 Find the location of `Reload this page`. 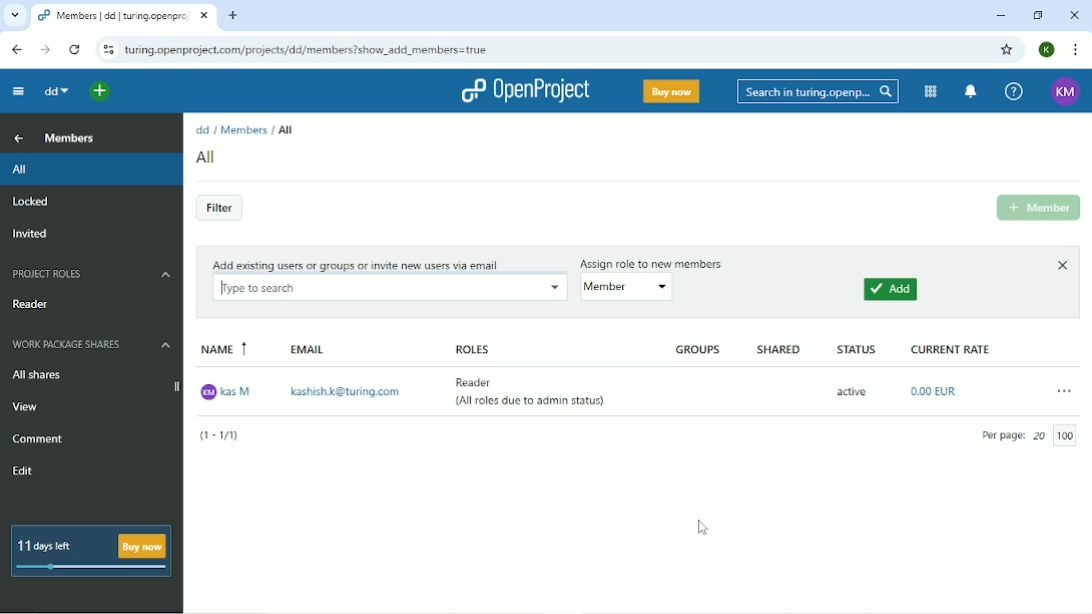

Reload this page is located at coordinates (74, 48).